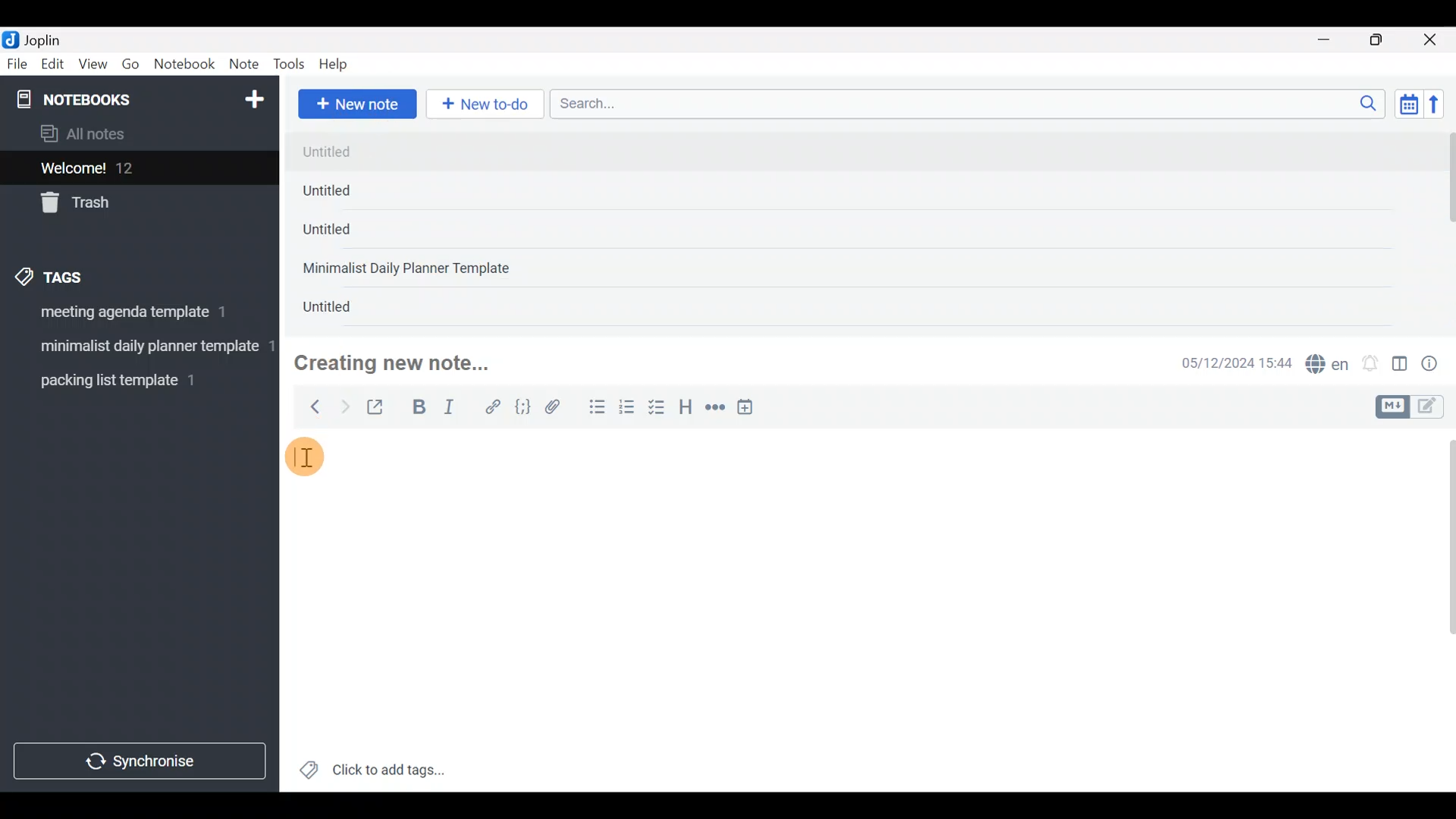  What do you see at coordinates (1328, 366) in the screenshot?
I see `Spelling` at bounding box center [1328, 366].